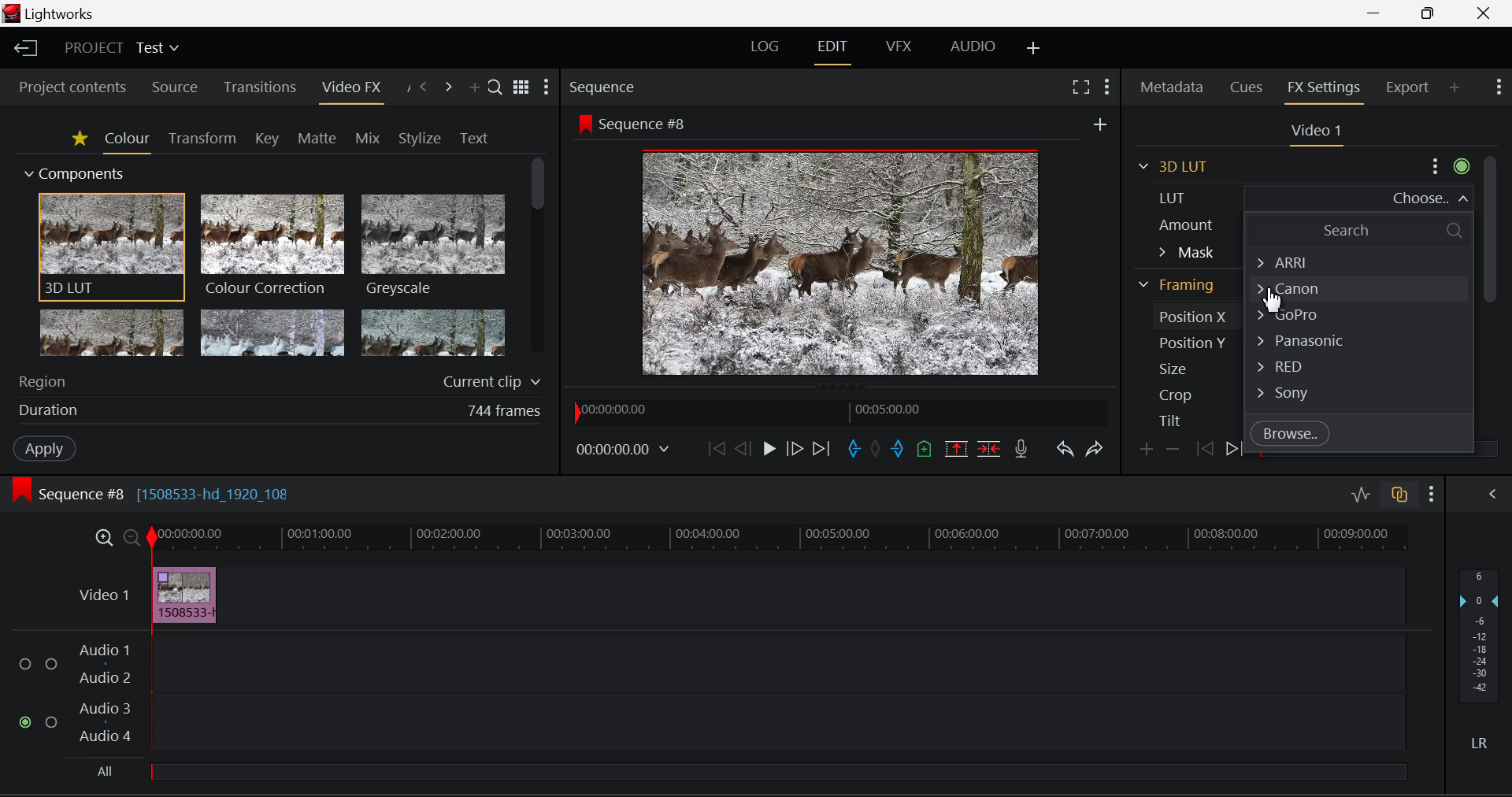  What do you see at coordinates (1376, 13) in the screenshot?
I see `Restore Down` at bounding box center [1376, 13].